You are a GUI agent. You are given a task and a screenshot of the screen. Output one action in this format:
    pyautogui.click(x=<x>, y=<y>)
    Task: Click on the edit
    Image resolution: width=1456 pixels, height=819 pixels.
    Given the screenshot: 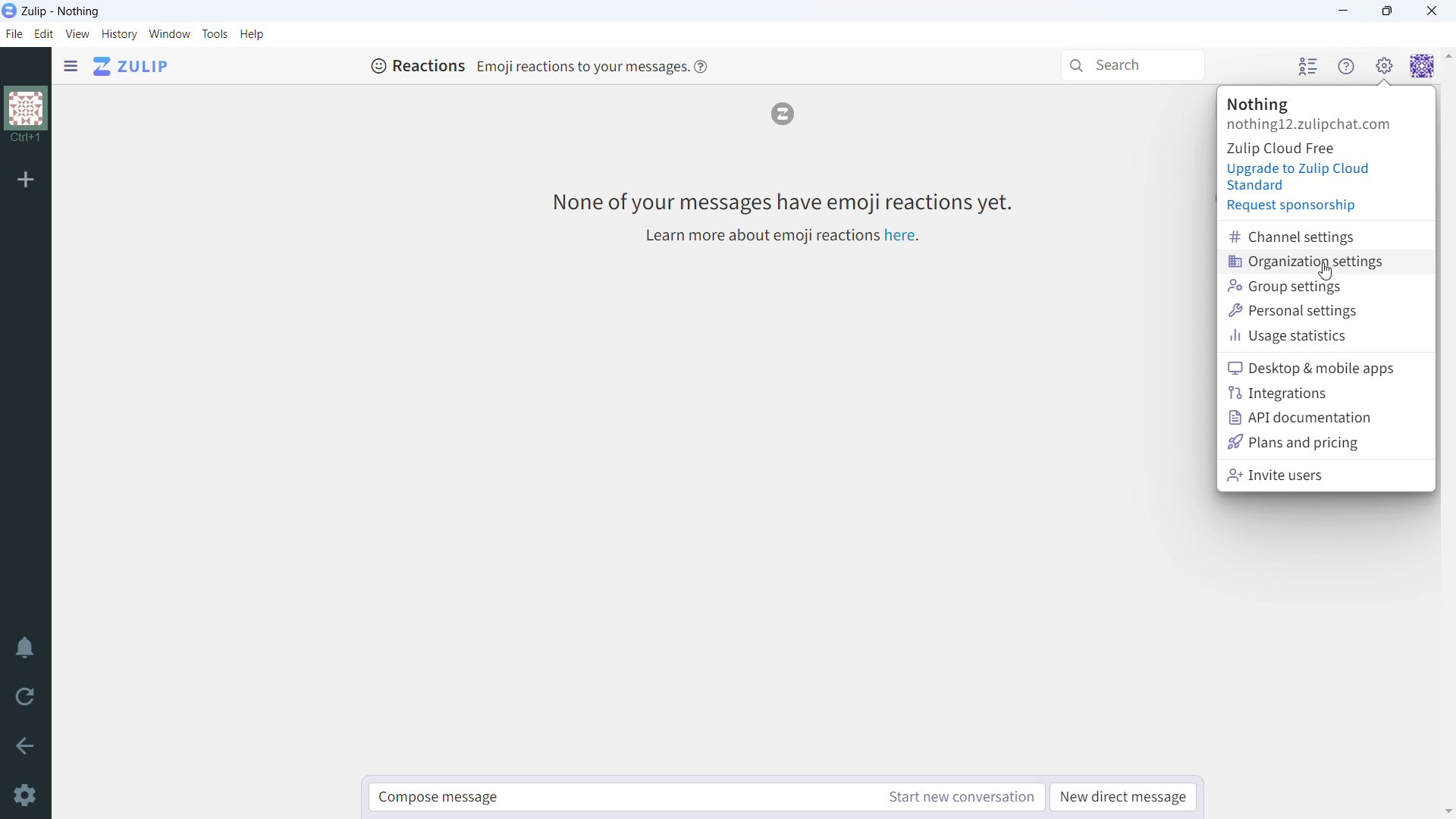 What is the action you would take?
    pyautogui.click(x=44, y=35)
    